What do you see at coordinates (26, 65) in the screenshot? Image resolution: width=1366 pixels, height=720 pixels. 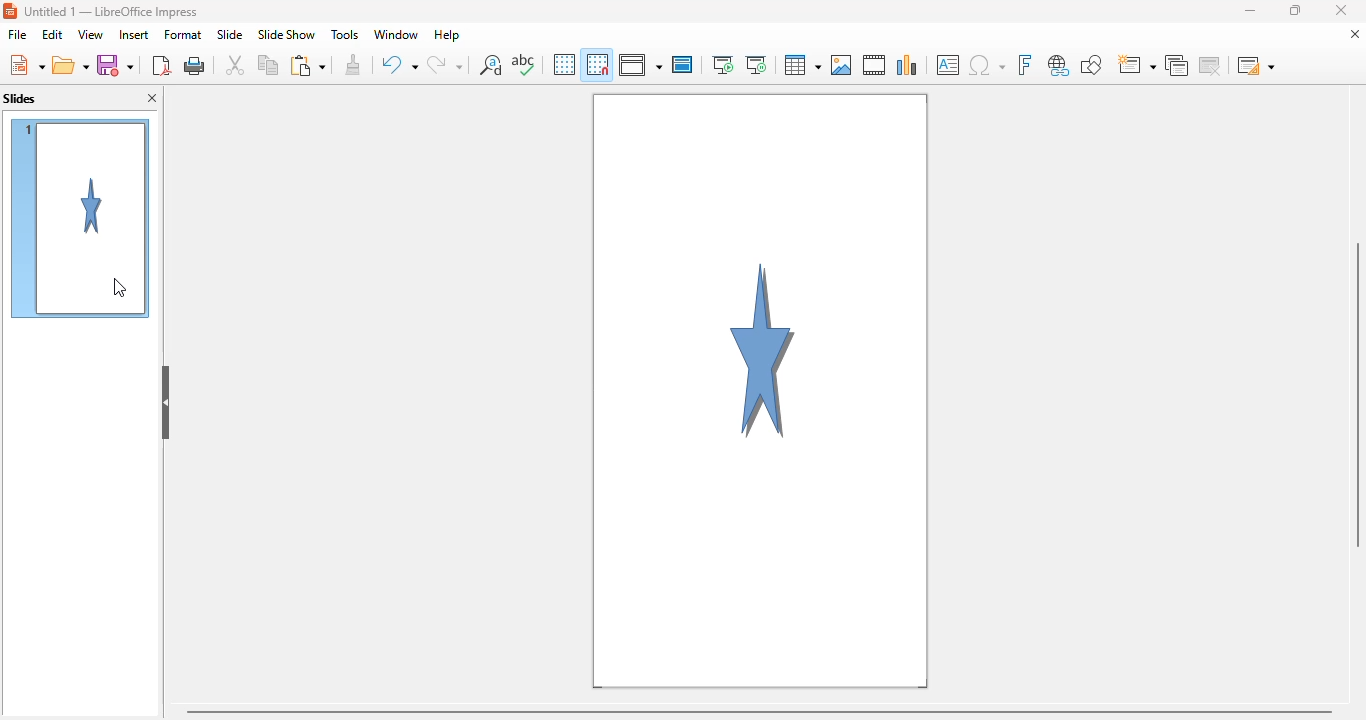 I see `new` at bounding box center [26, 65].